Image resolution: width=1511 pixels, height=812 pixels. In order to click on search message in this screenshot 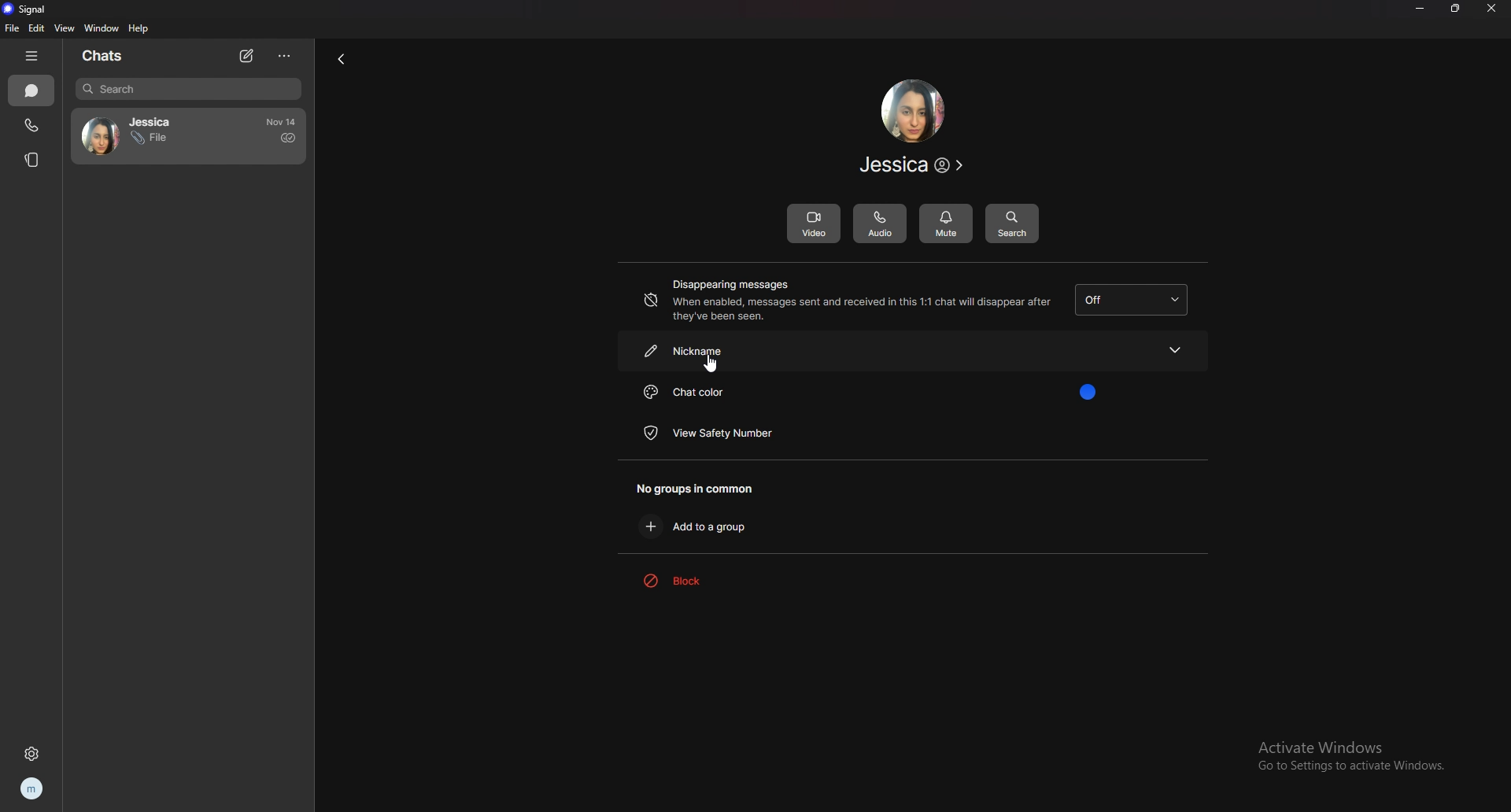, I will do `click(1012, 224)`.